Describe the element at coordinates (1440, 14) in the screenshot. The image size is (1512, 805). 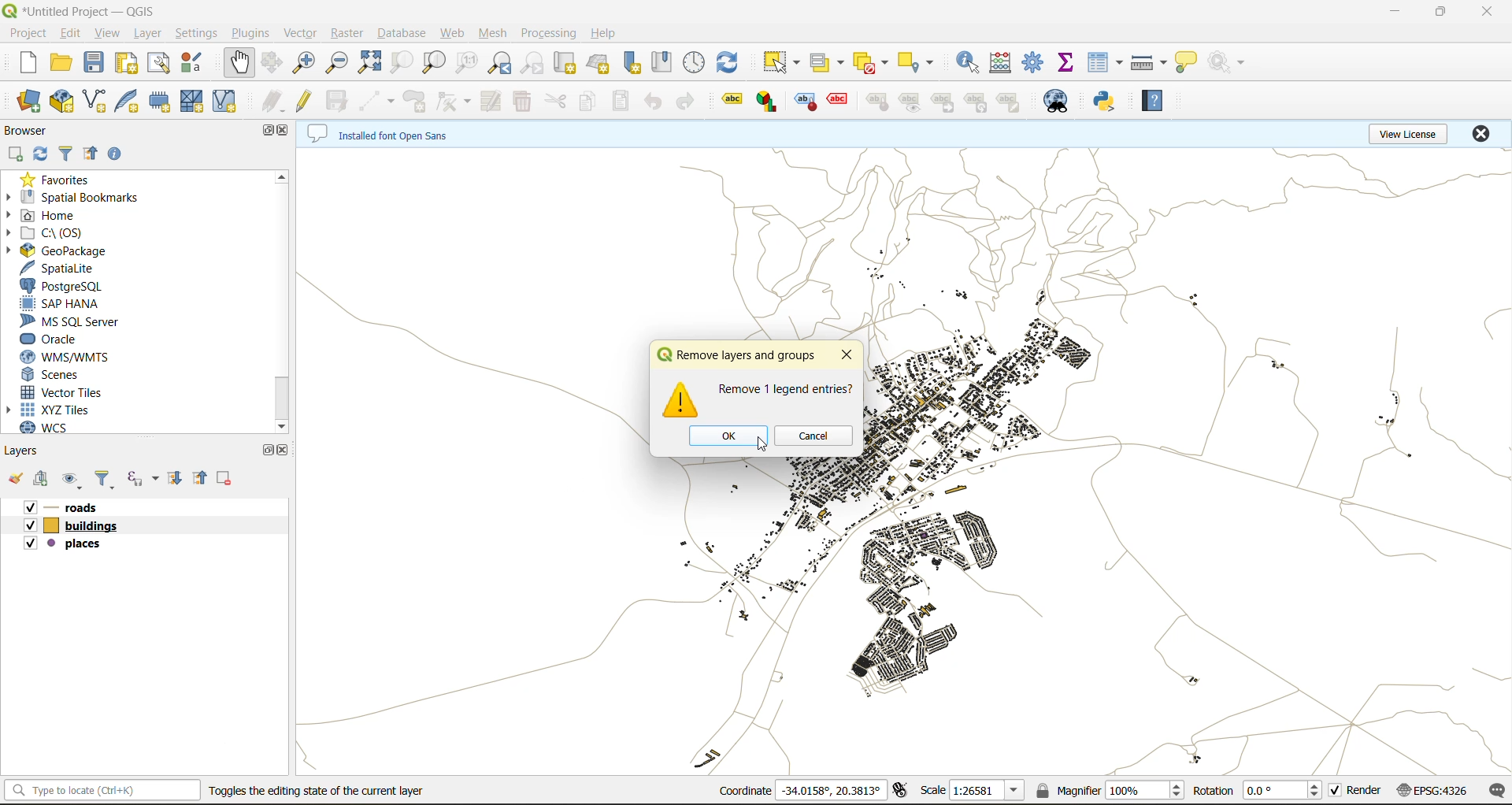
I see `maximize` at that location.